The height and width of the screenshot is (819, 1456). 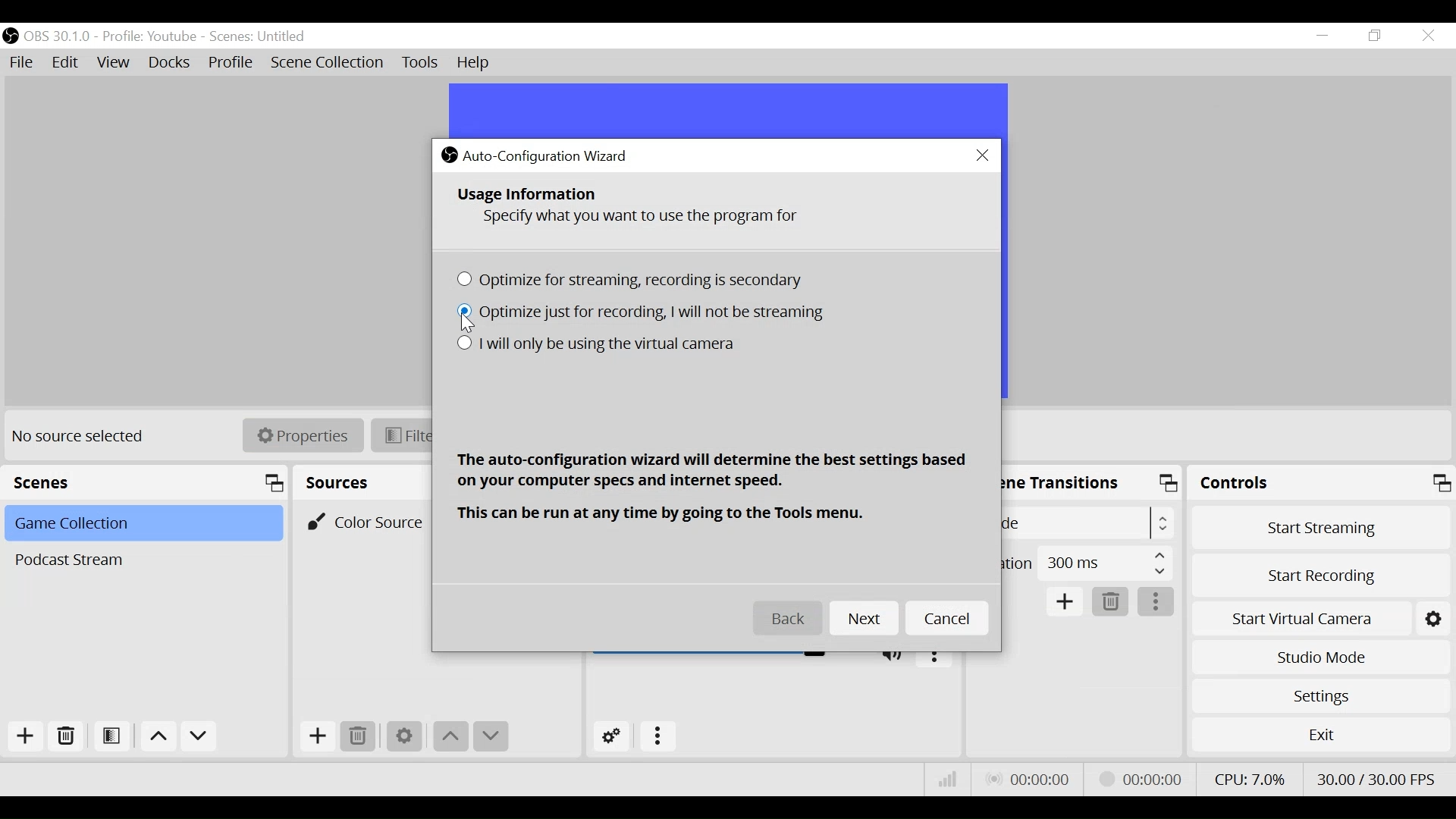 What do you see at coordinates (83, 438) in the screenshot?
I see `No source Selected` at bounding box center [83, 438].